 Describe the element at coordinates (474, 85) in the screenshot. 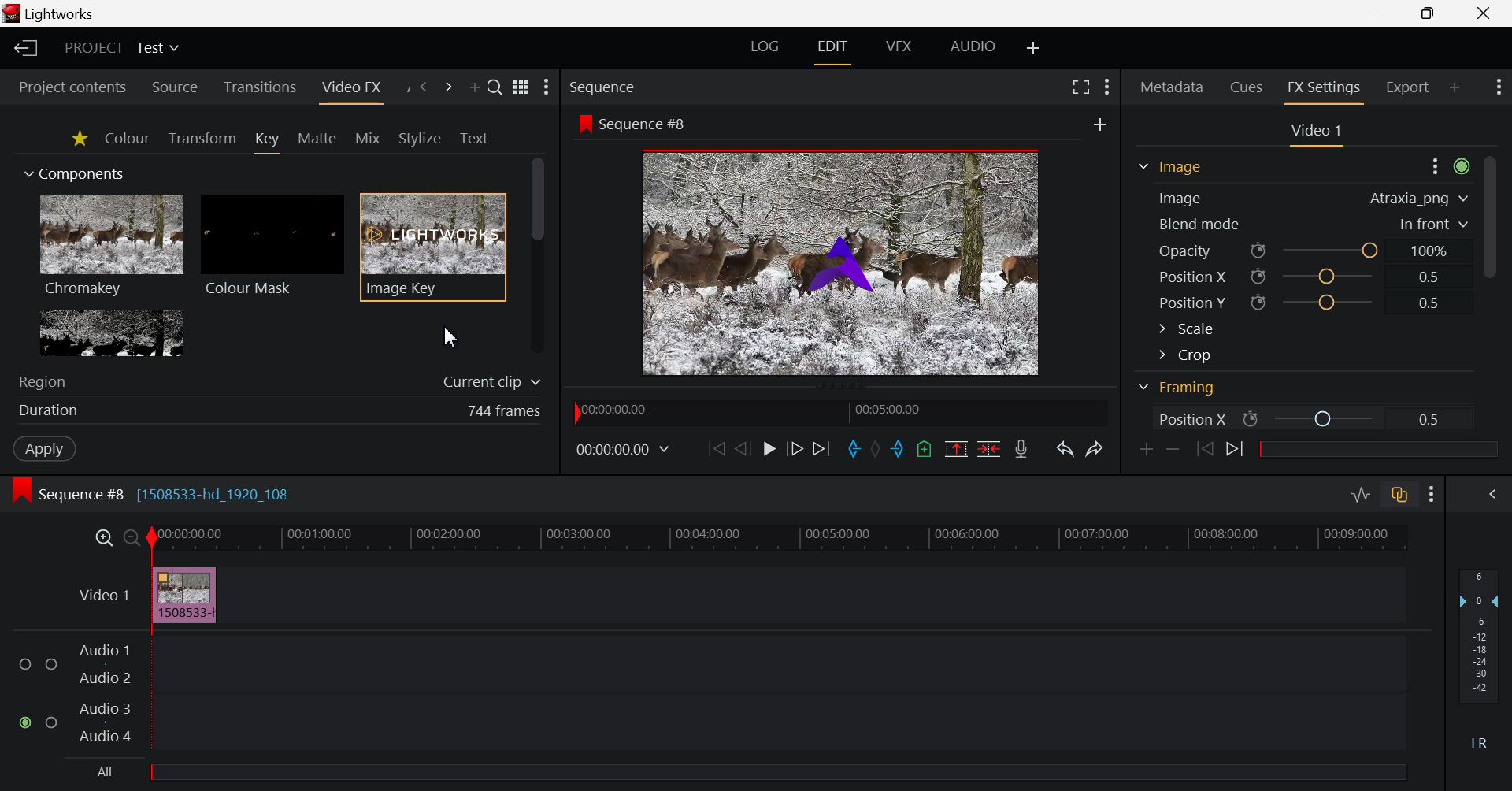

I see `Add Panel` at that location.